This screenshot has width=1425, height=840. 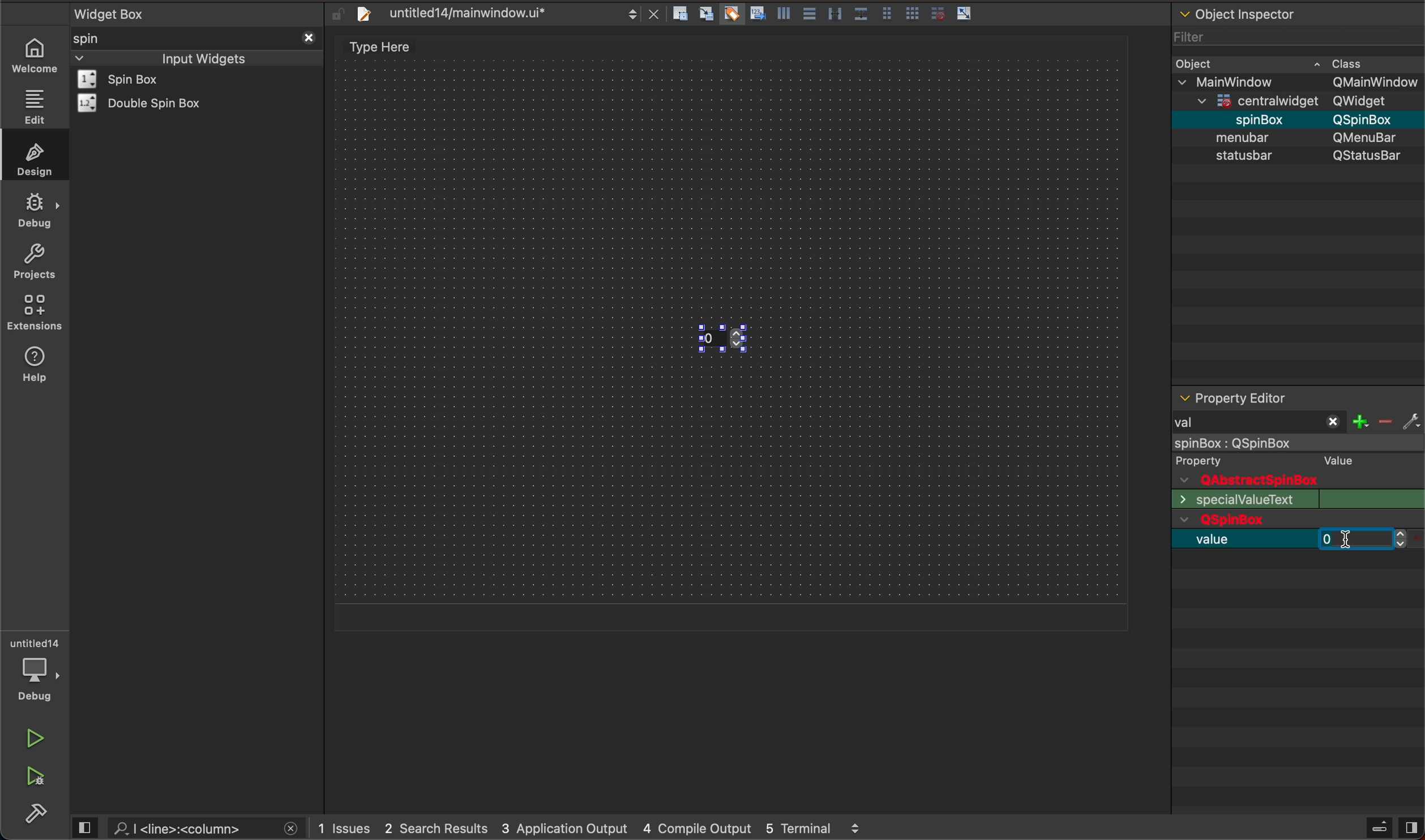 I want to click on widget, so click(x=146, y=103).